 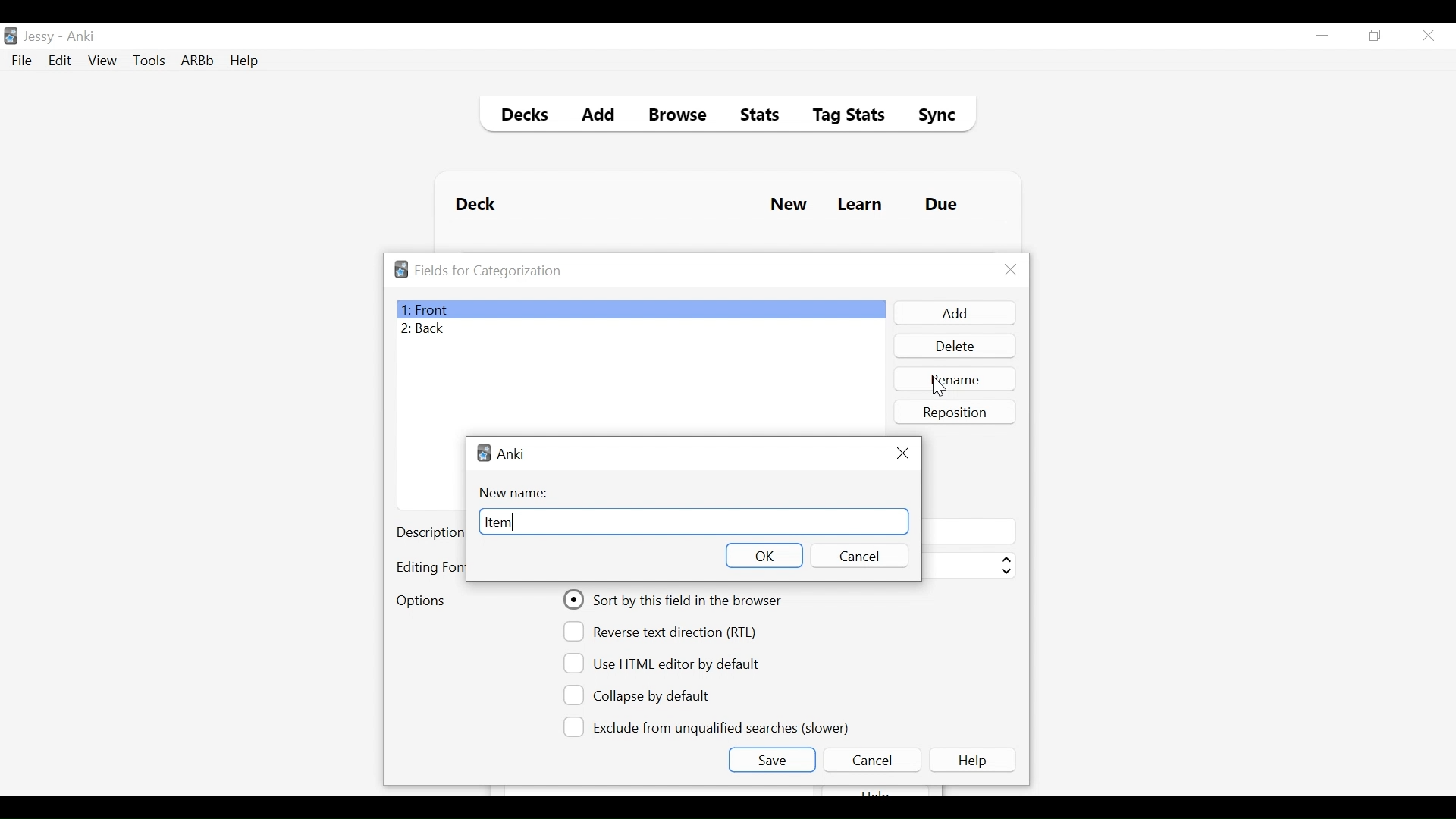 I want to click on New, so click(x=789, y=206).